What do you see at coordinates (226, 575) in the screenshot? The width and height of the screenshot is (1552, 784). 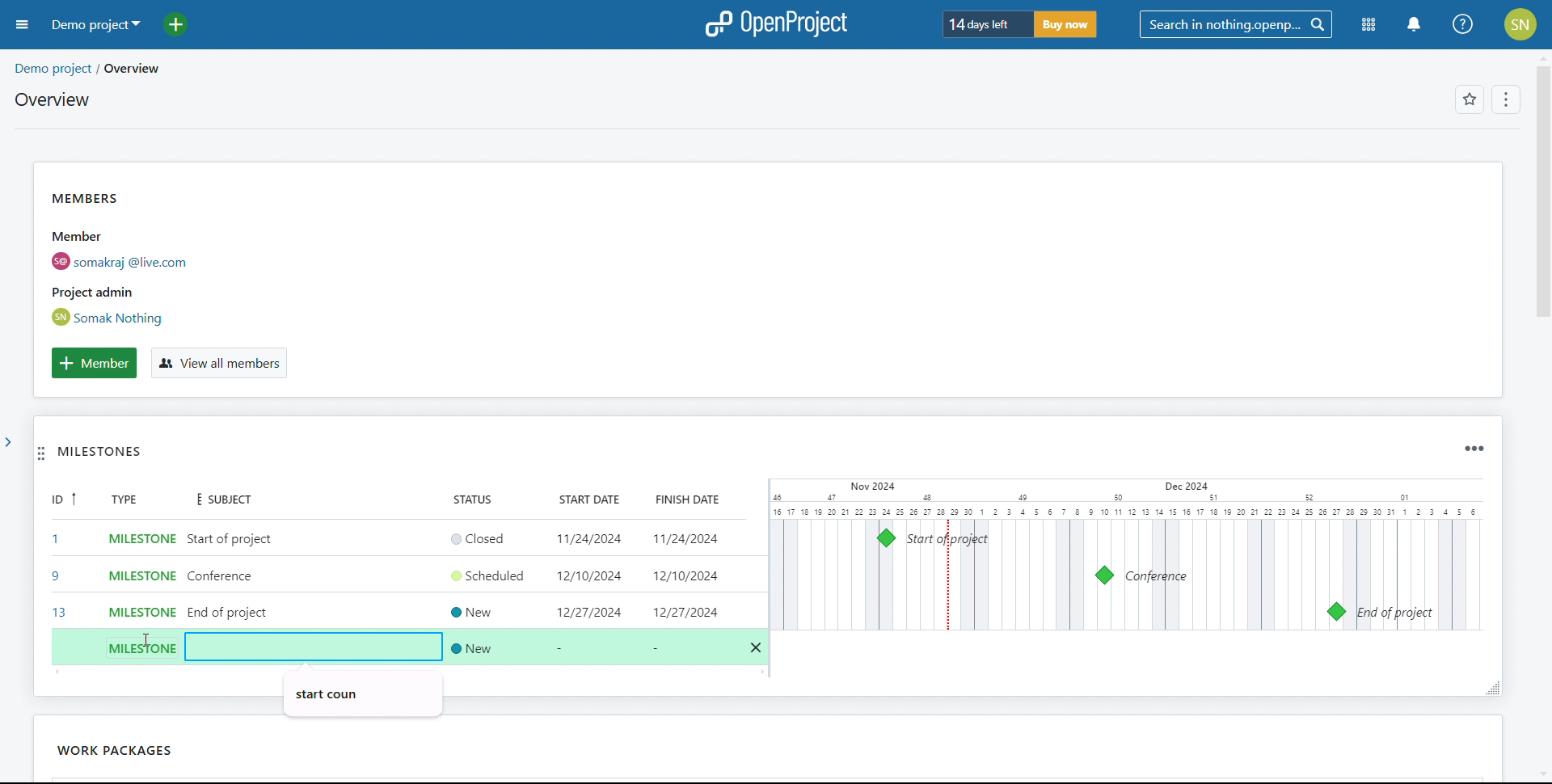 I see `add subject` at bounding box center [226, 575].